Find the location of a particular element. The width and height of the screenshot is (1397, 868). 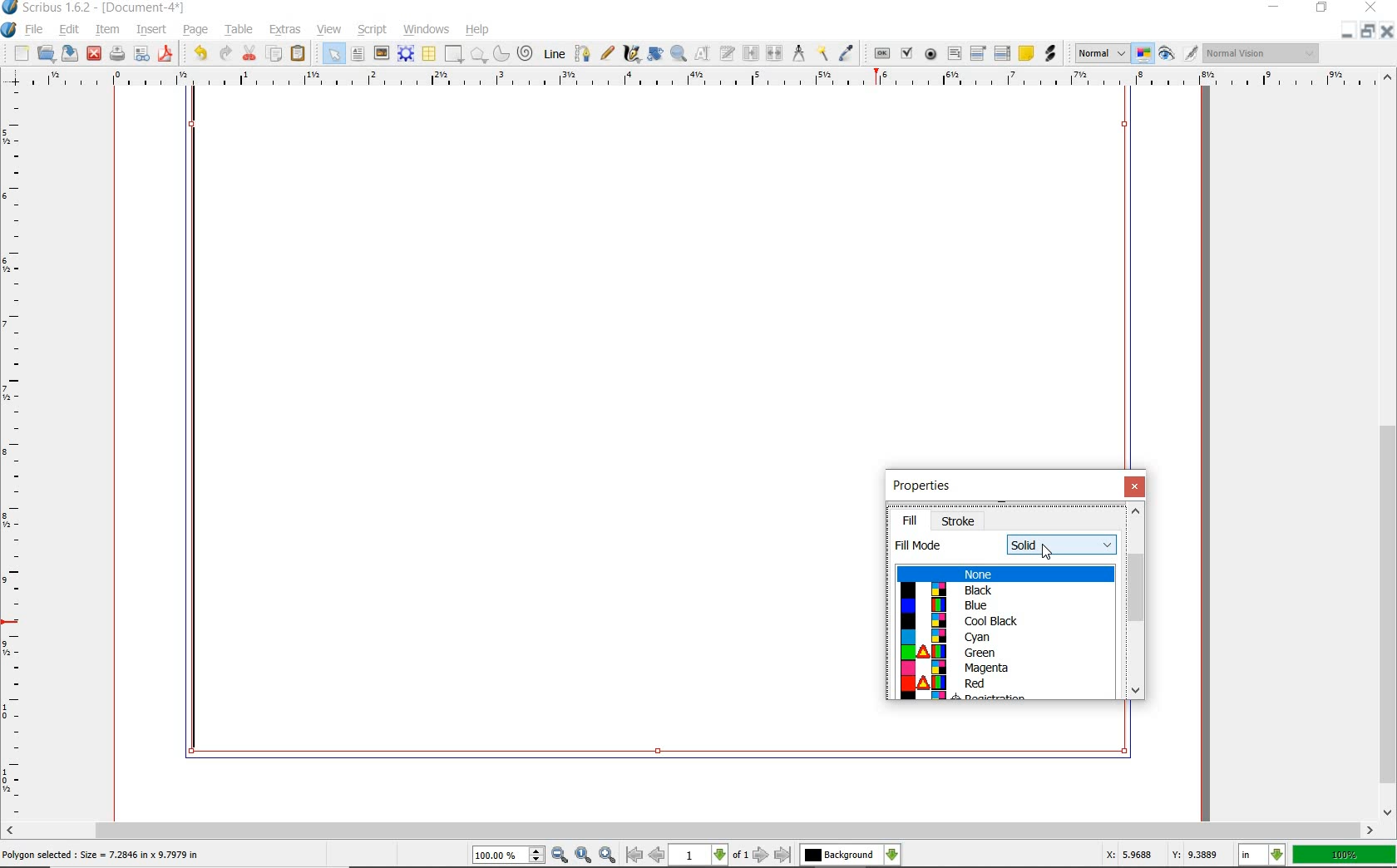

go to last page is located at coordinates (782, 855).